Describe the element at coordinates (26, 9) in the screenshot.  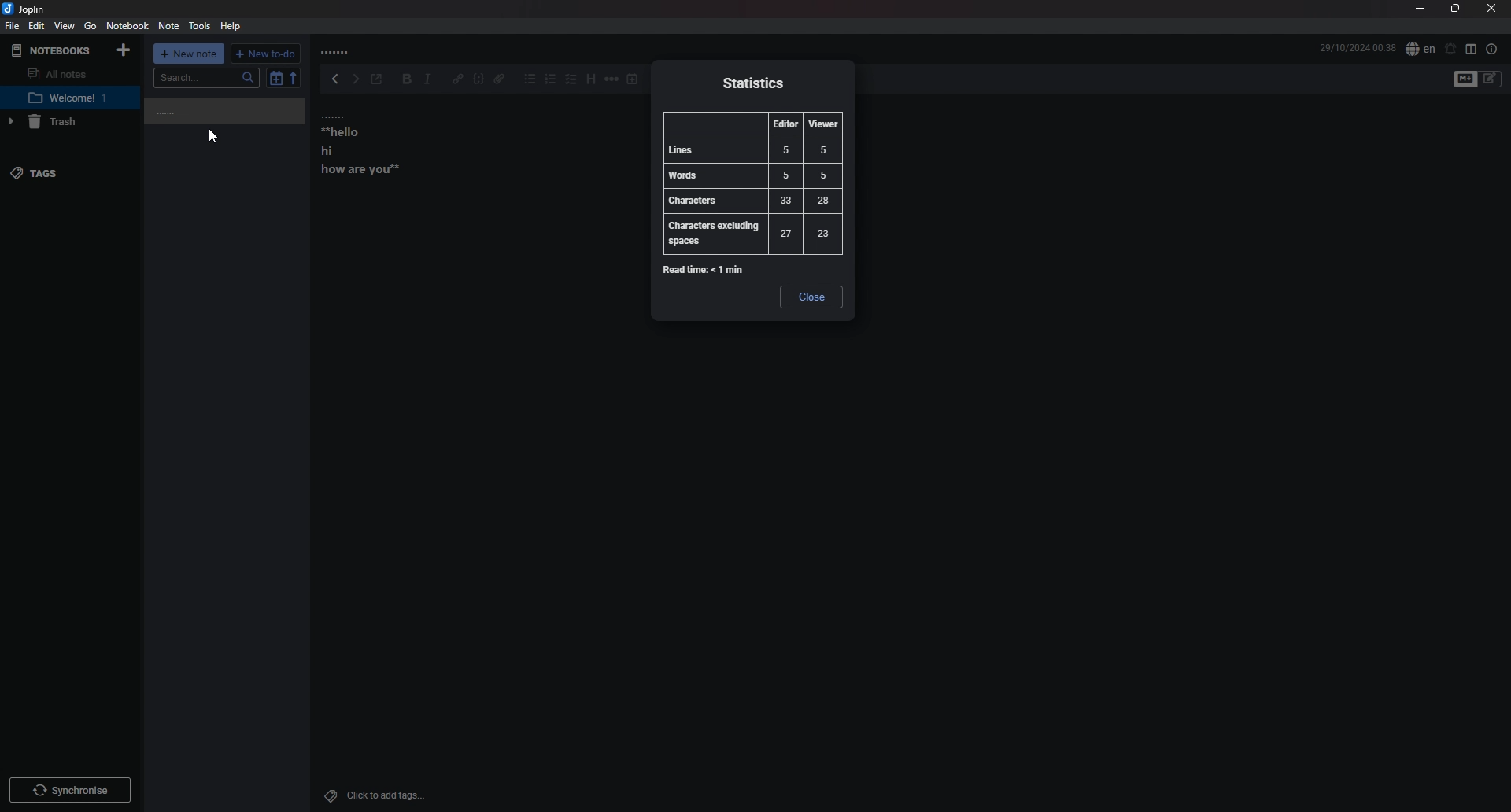
I see `joplin` at that location.